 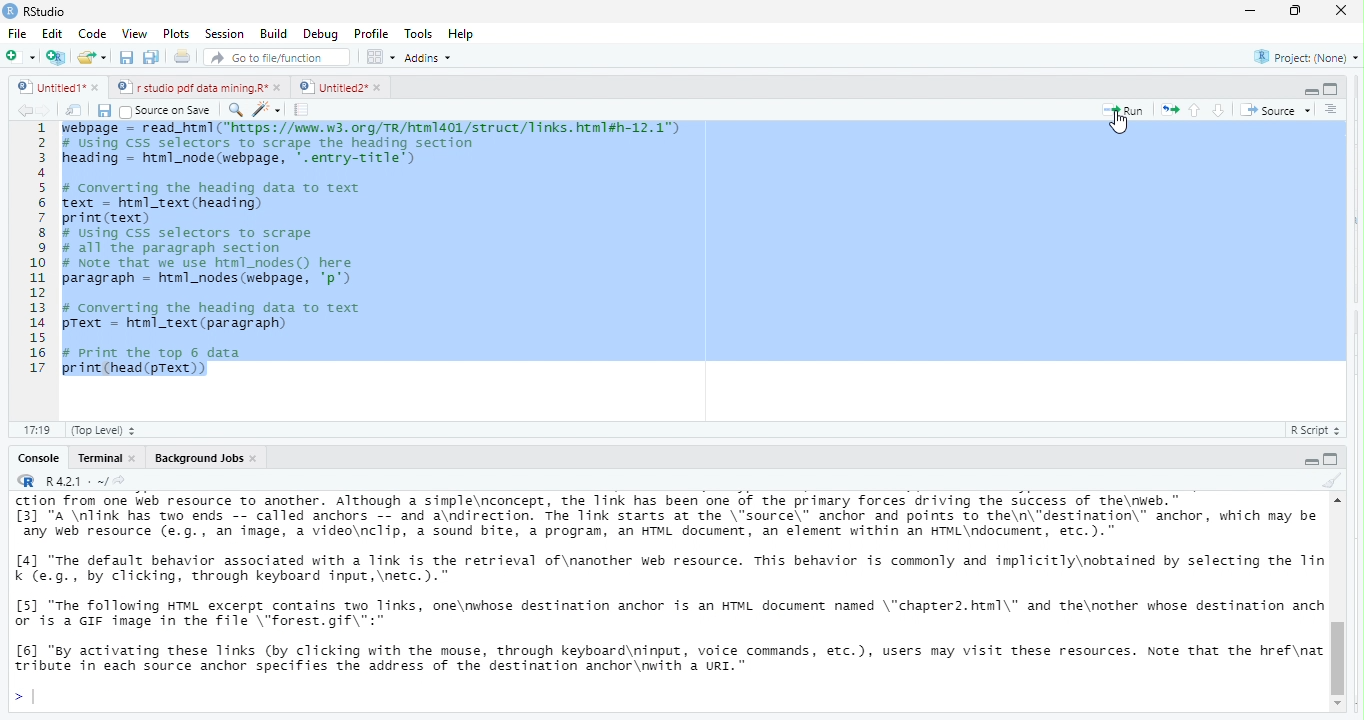 What do you see at coordinates (274, 34) in the screenshot?
I see `Build` at bounding box center [274, 34].